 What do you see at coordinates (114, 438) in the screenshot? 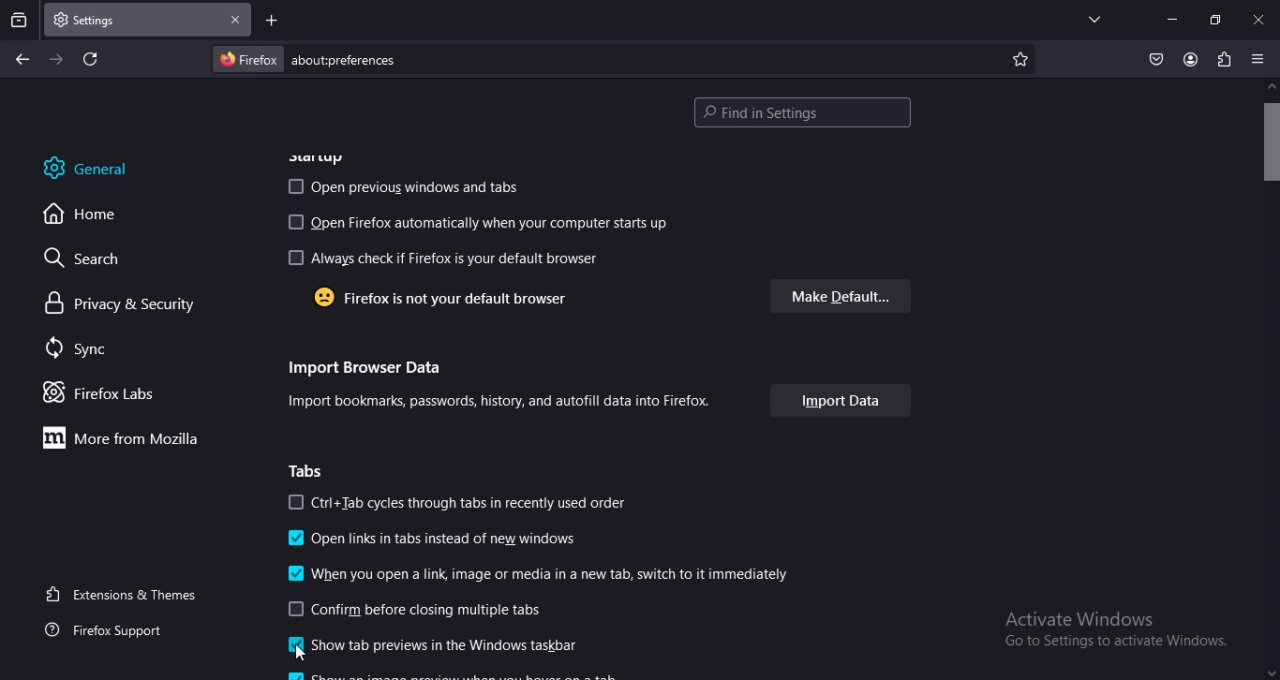
I see `more with firefox` at bounding box center [114, 438].